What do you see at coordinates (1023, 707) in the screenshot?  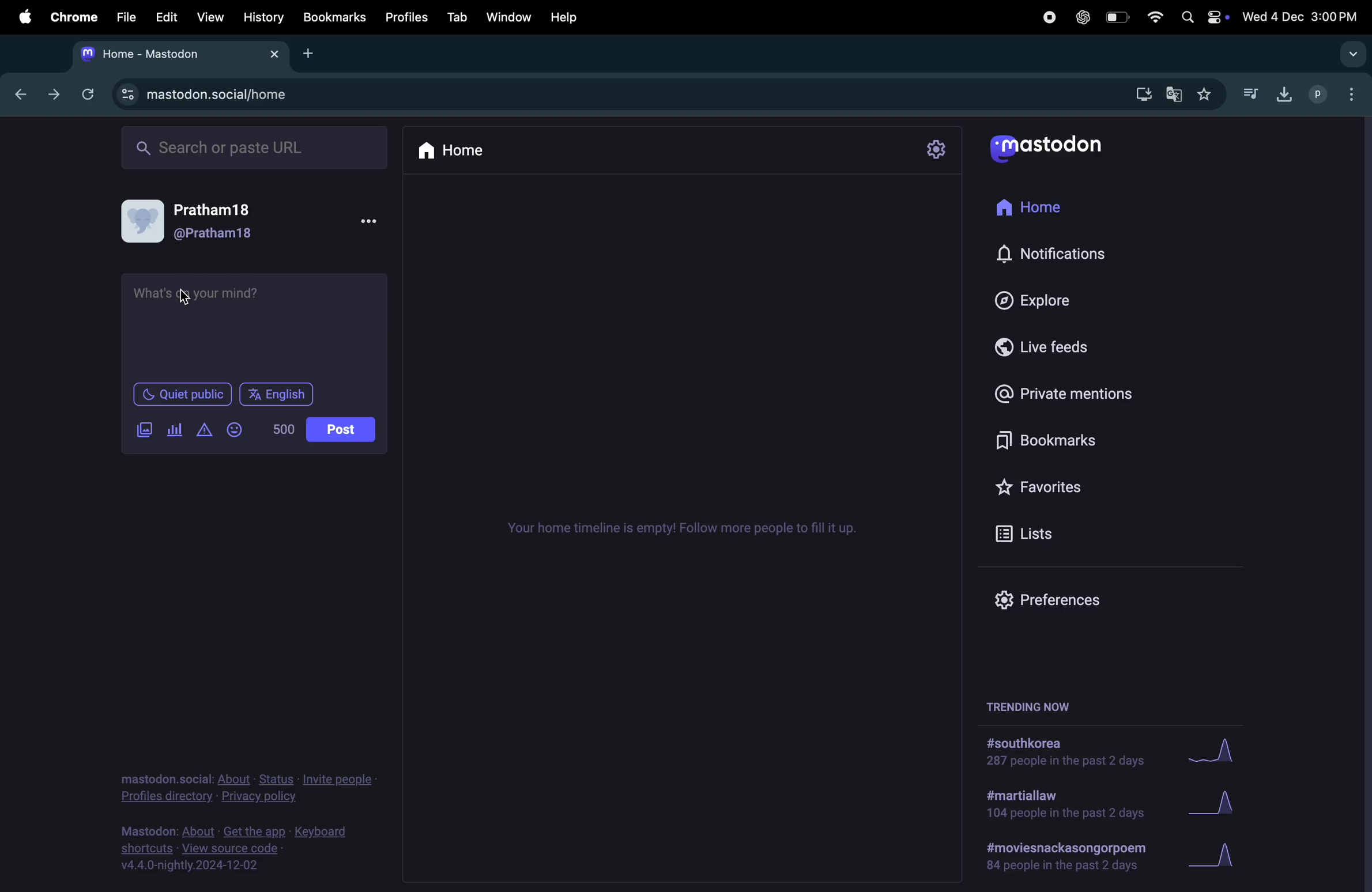 I see `trending now` at bounding box center [1023, 707].